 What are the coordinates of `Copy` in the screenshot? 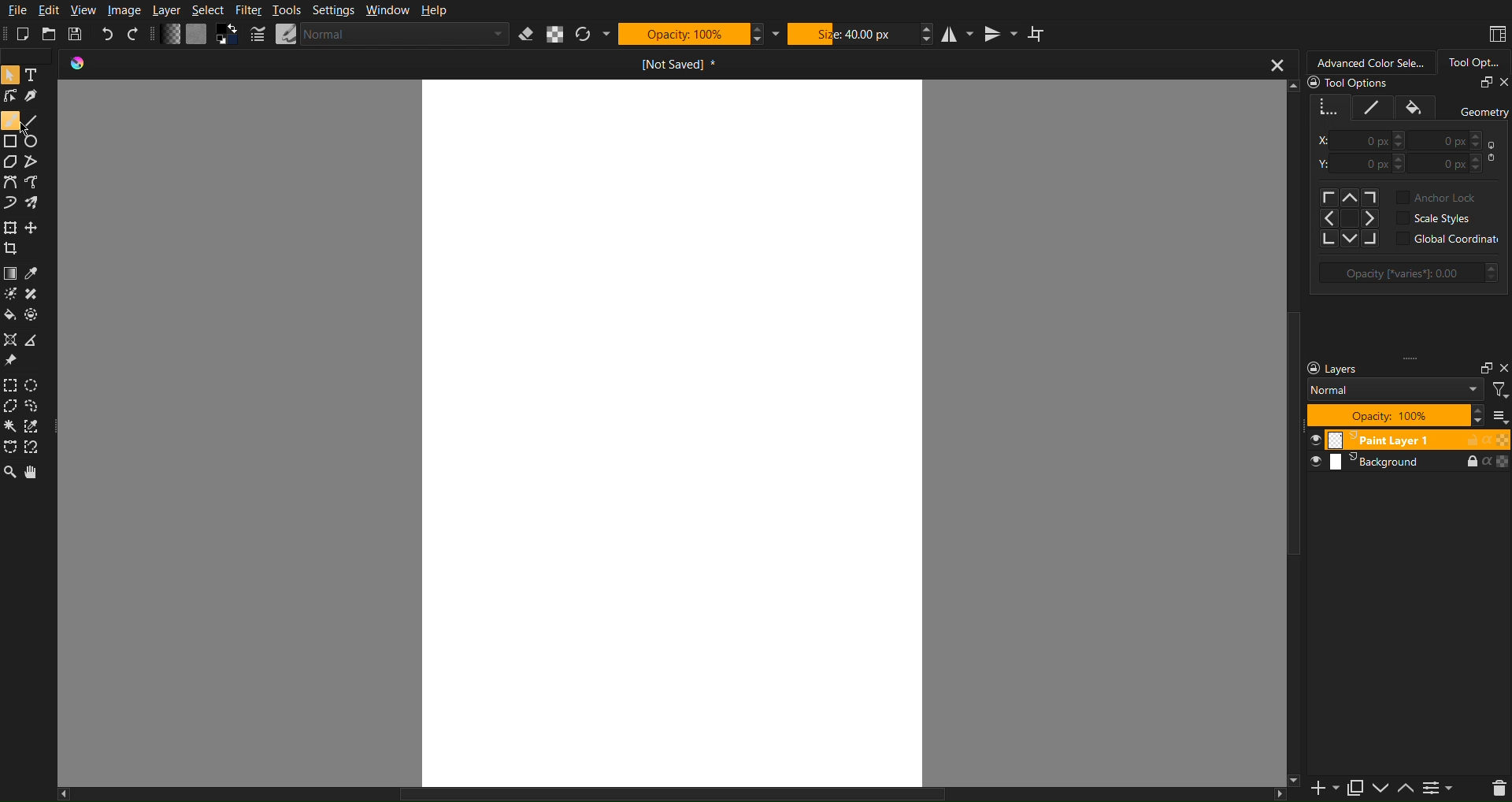 It's located at (1357, 789).